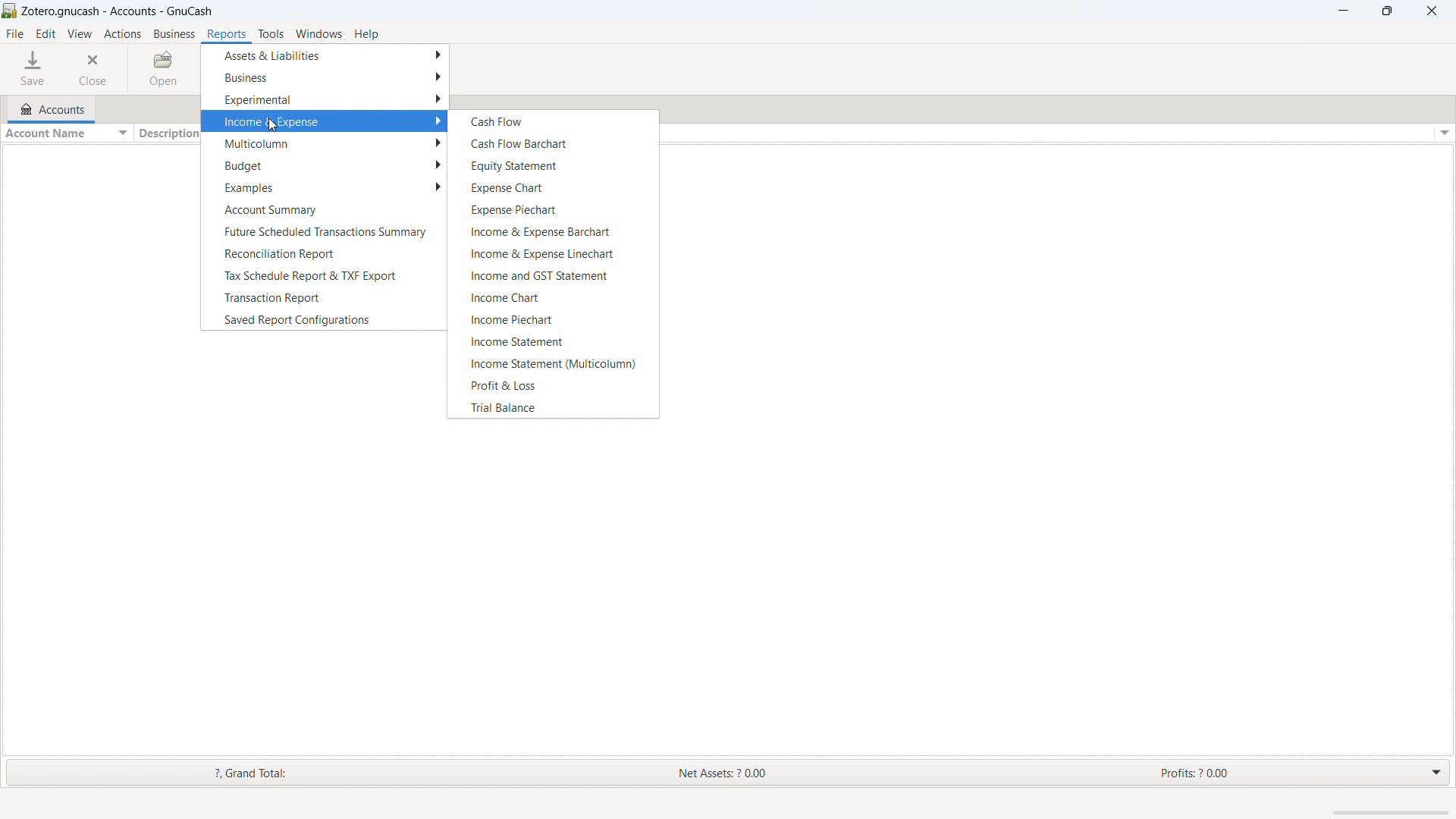 Image resolution: width=1456 pixels, height=819 pixels. What do you see at coordinates (174, 33) in the screenshot?
I see `business` at bounding box center [174, 33].